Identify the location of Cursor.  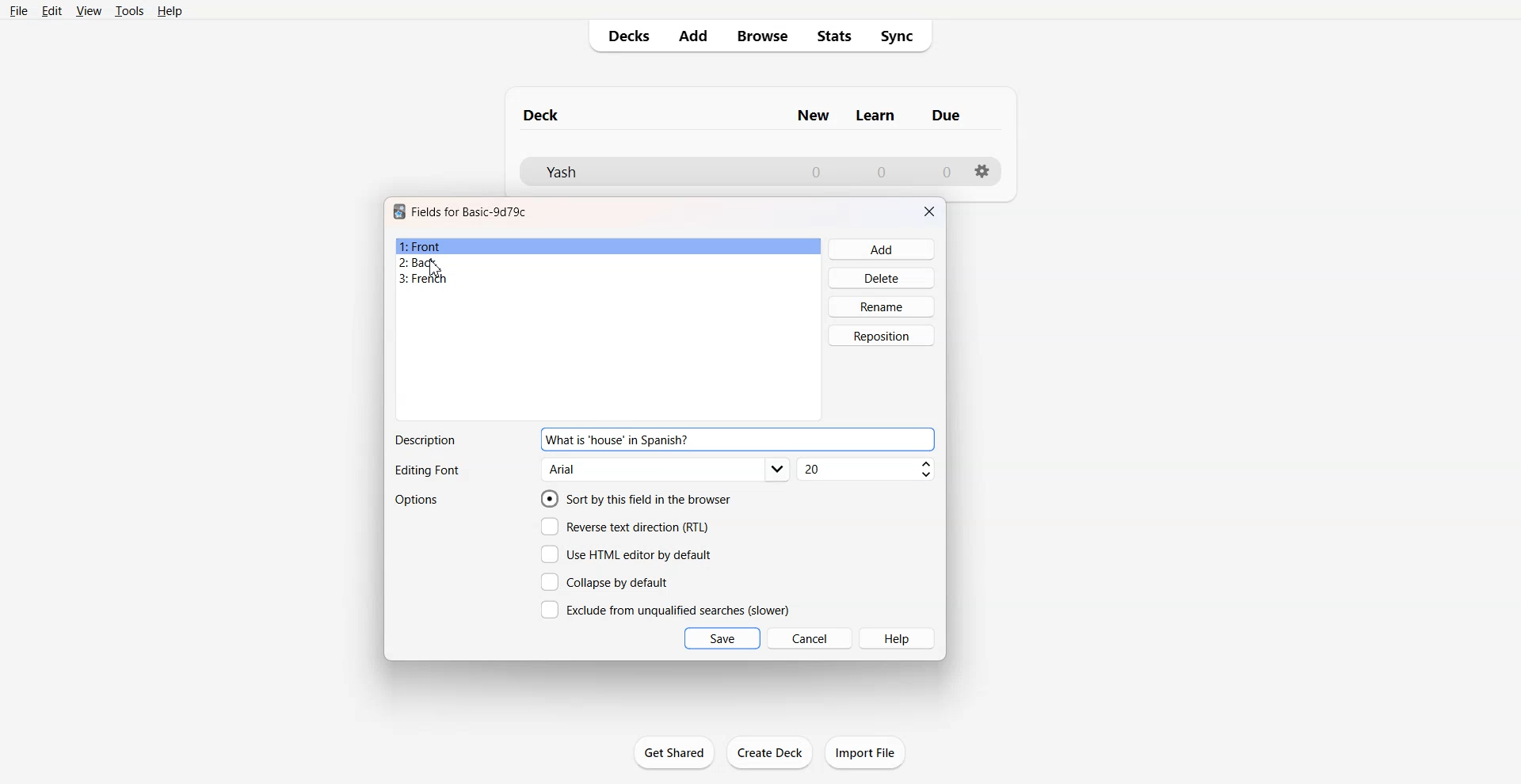
(436, 268).